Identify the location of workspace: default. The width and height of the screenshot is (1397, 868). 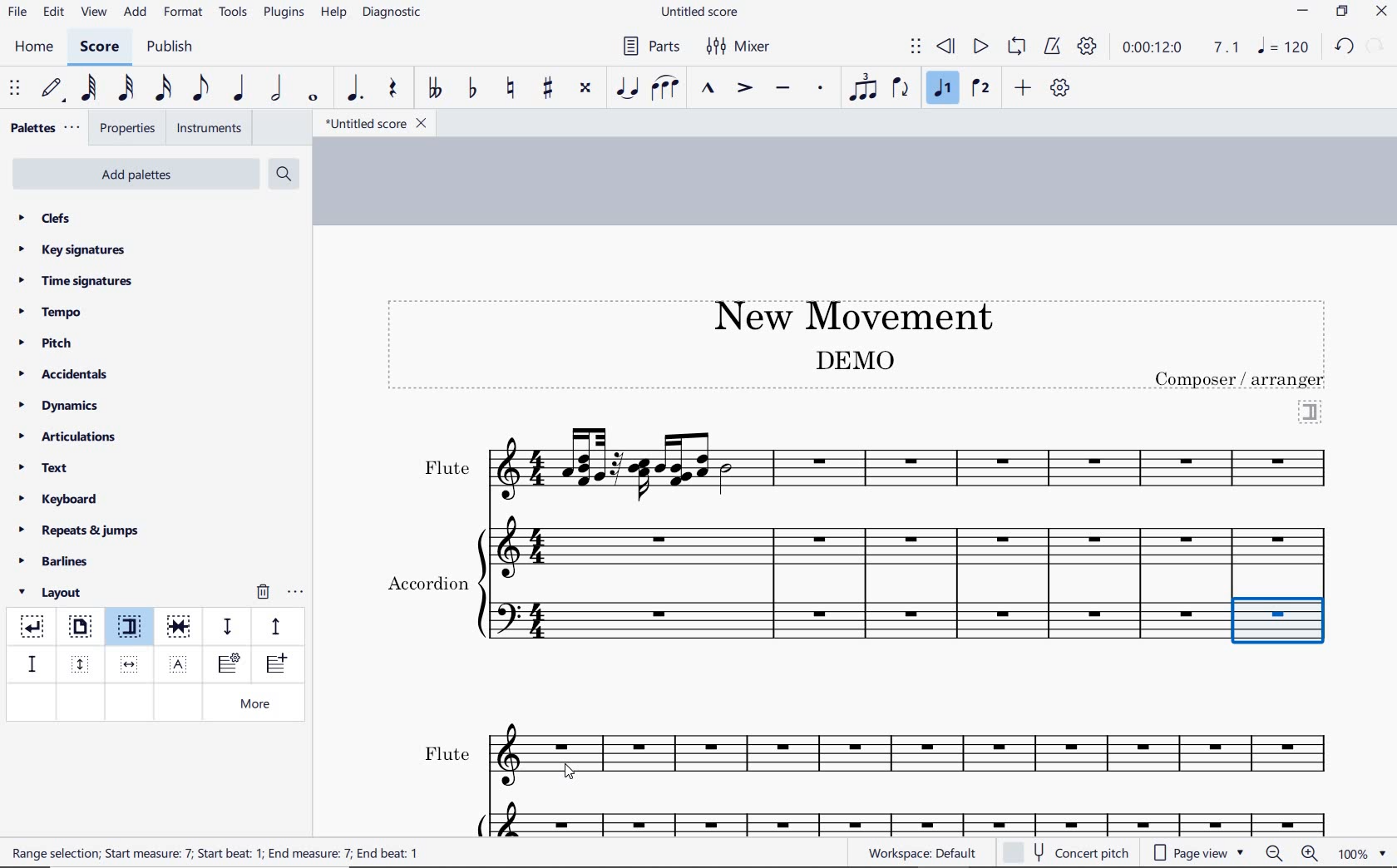
(920, 852).